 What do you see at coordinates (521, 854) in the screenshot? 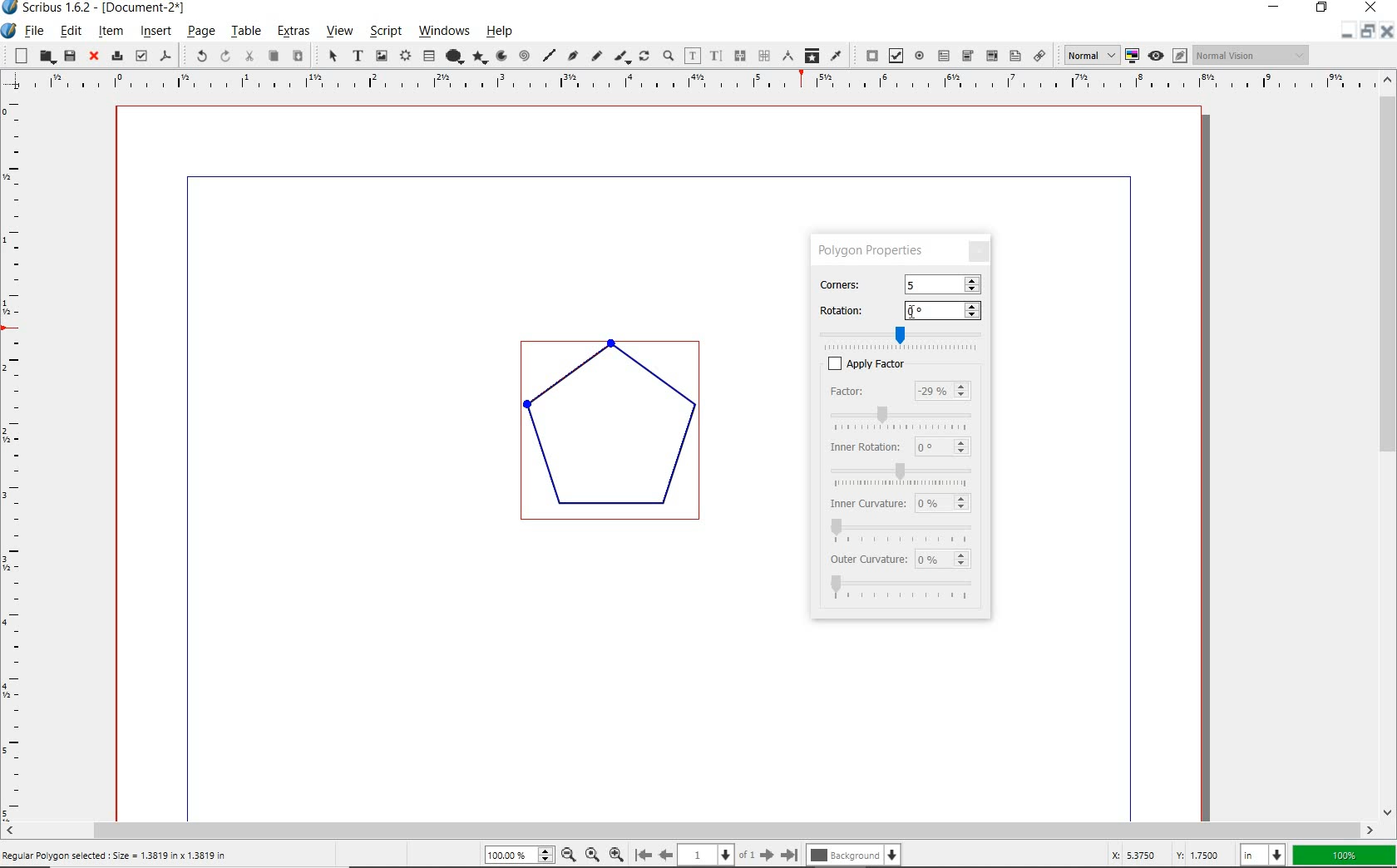
I see `100%` at bounding box center [521, 854].